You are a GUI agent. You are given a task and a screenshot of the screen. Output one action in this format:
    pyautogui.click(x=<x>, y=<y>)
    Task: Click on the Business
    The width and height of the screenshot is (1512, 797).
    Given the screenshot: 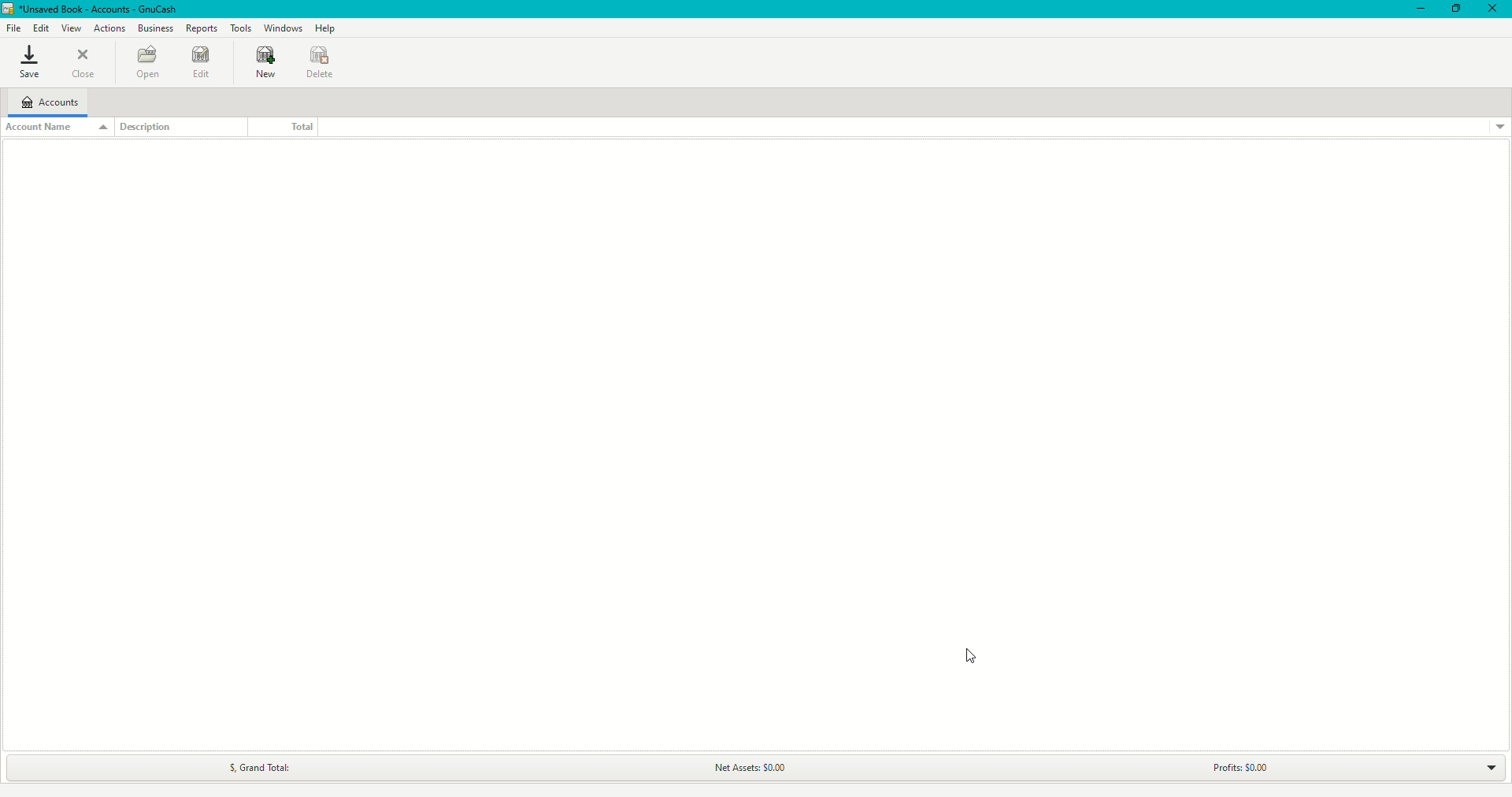 What is the action you would take?
    pyautogui.click(x=154, y=28)
    